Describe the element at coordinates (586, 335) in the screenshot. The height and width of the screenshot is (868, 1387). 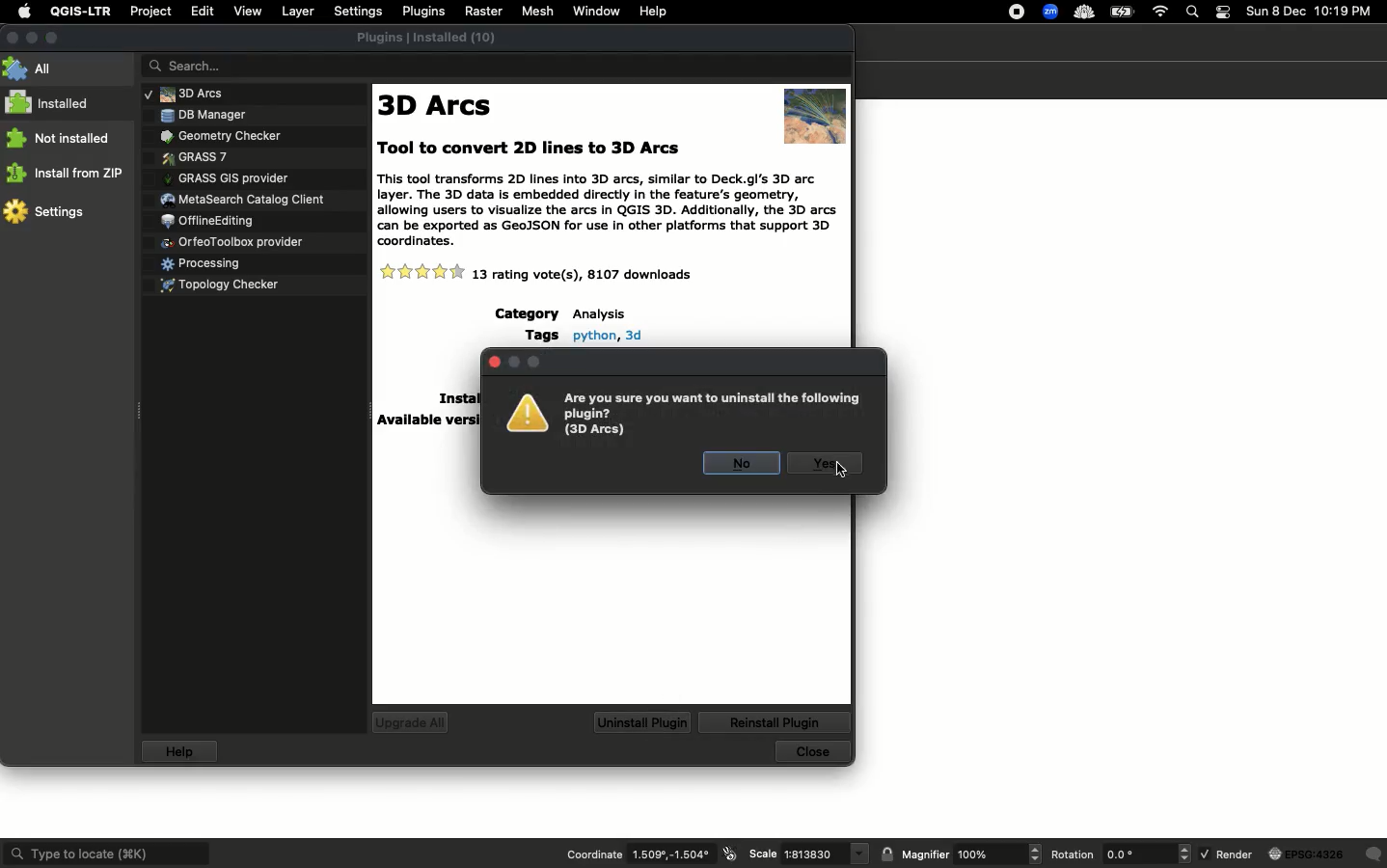
I see `details` at that location.